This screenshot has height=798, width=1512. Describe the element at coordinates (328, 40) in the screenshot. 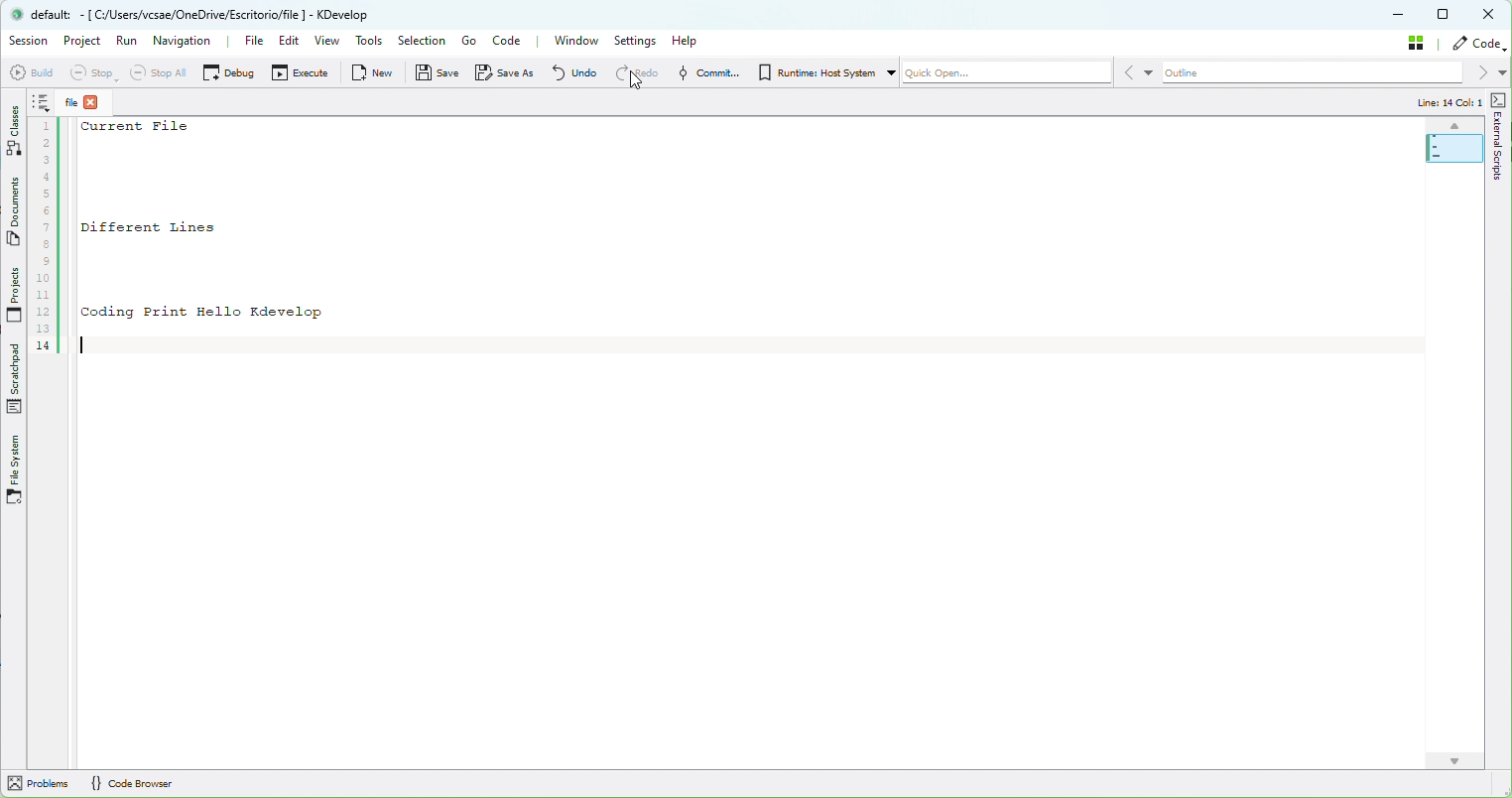

I see `View` at that location.